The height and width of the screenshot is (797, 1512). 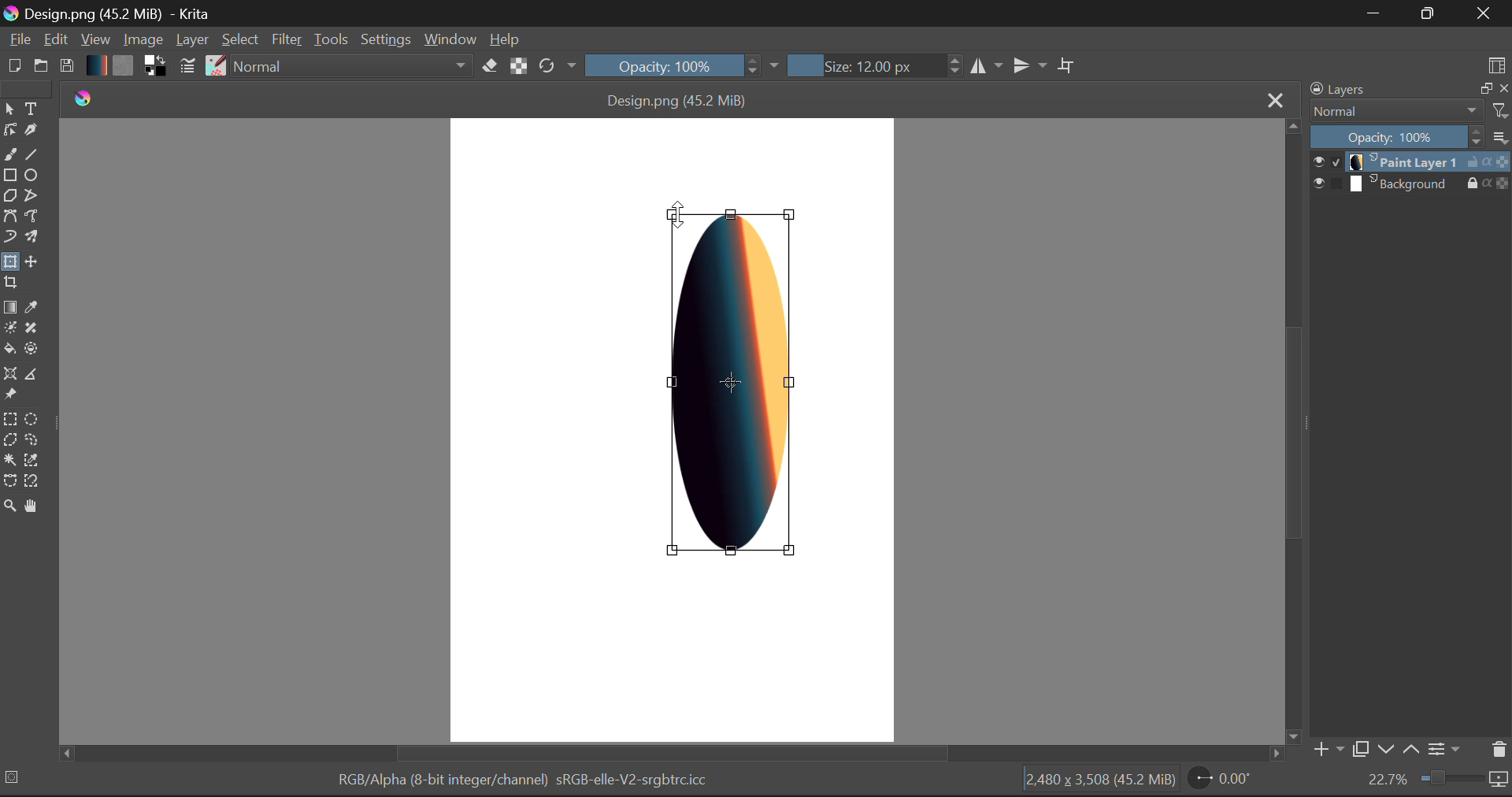 I want to click on Help, so click(x=505, y=38).